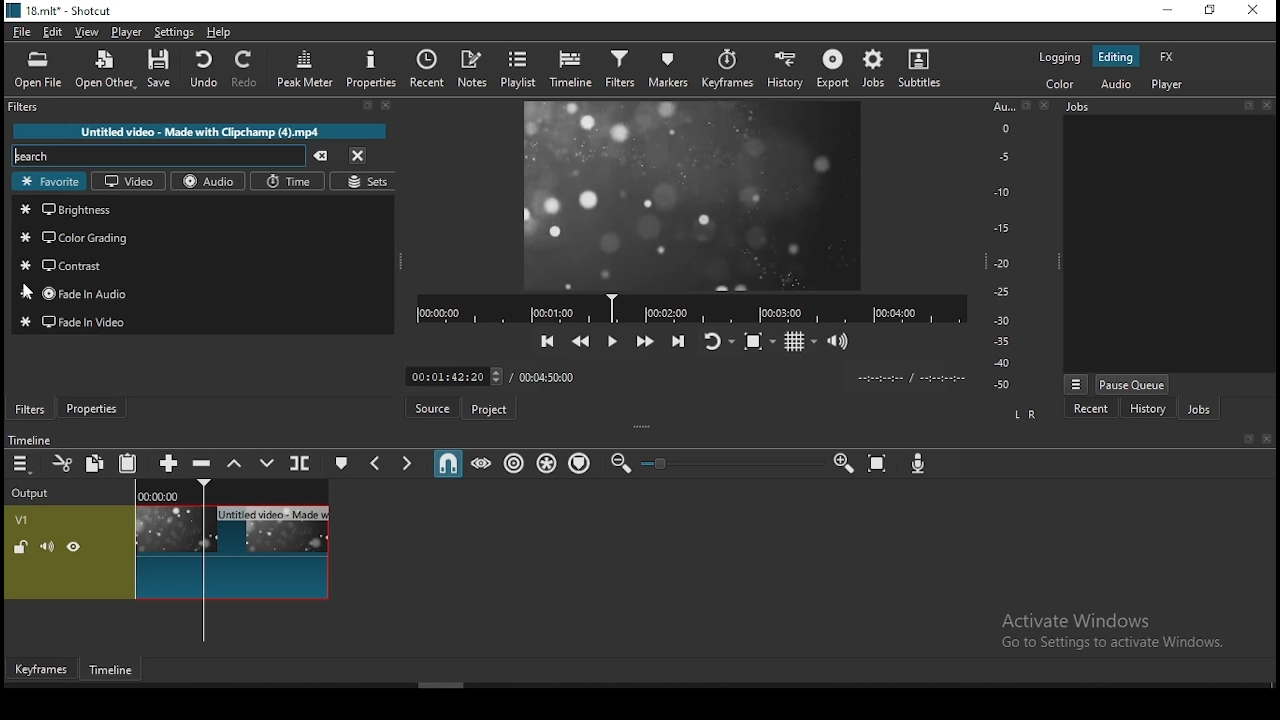 The image size is (1280, 720). Describe the element at coordinates (290, 181) in the screenshot. I see `time` at that location.